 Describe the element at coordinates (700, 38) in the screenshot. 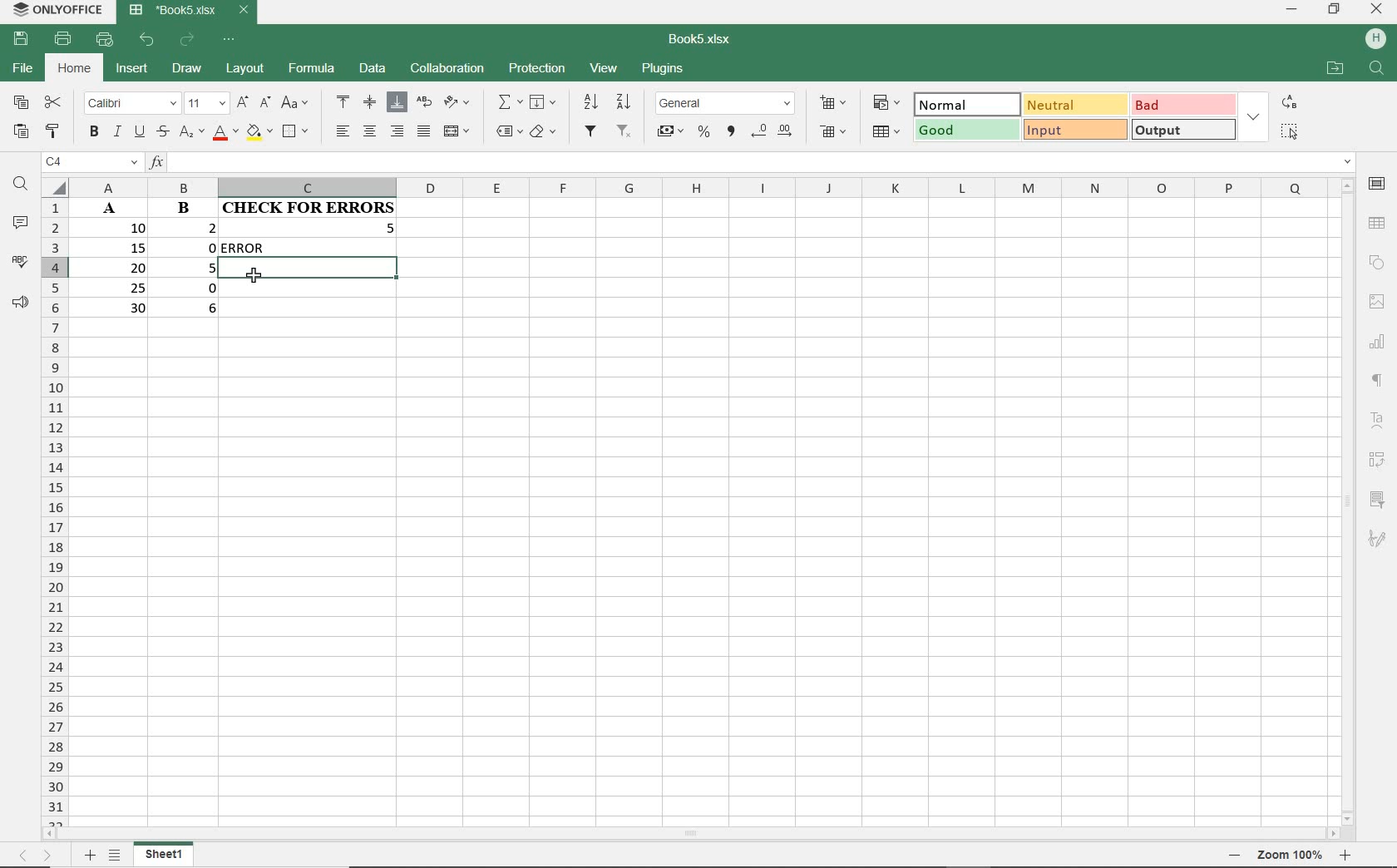

I see `DOCUMENT NAME` at that location.